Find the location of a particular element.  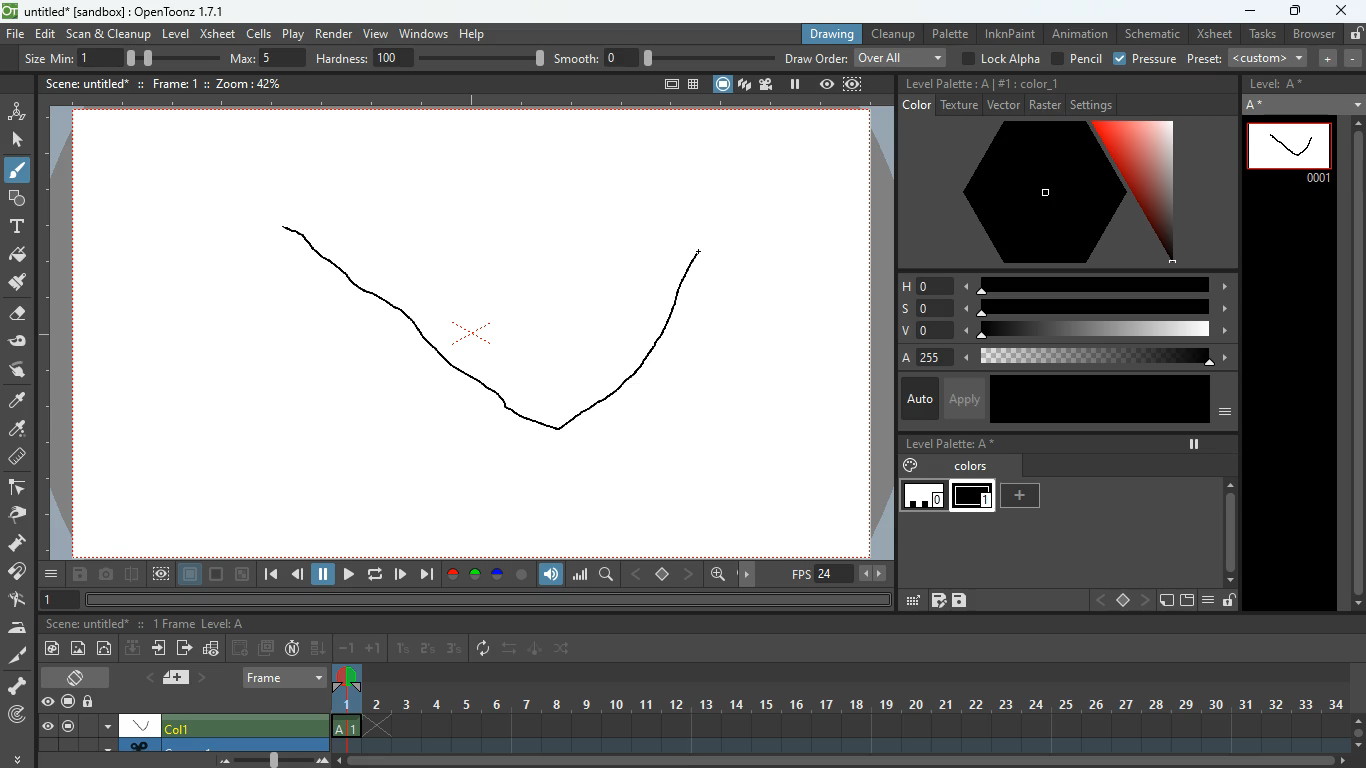

help is located at coordinates (475, 31).